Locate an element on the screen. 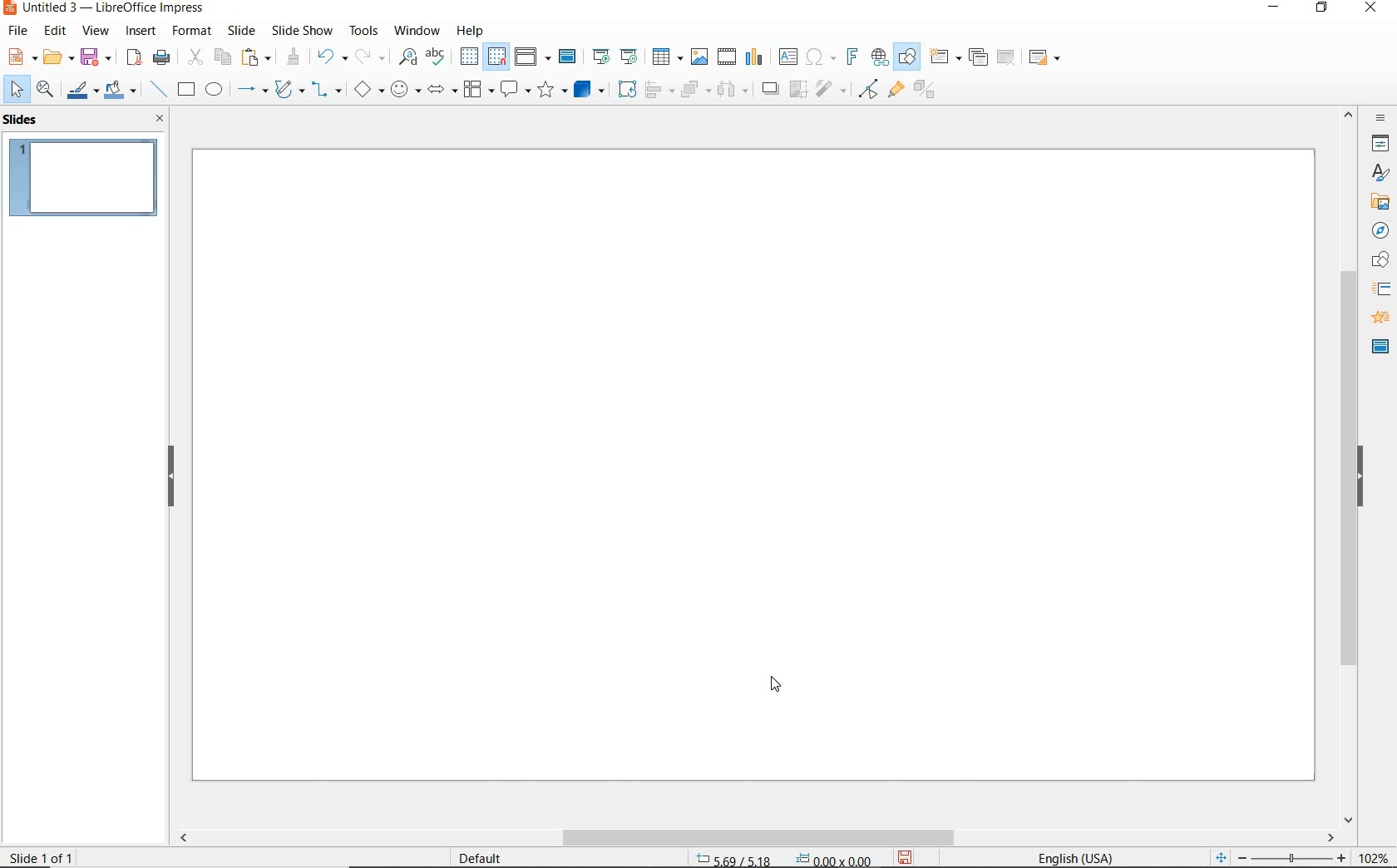  UNDO is located at coordinates (329, 57).